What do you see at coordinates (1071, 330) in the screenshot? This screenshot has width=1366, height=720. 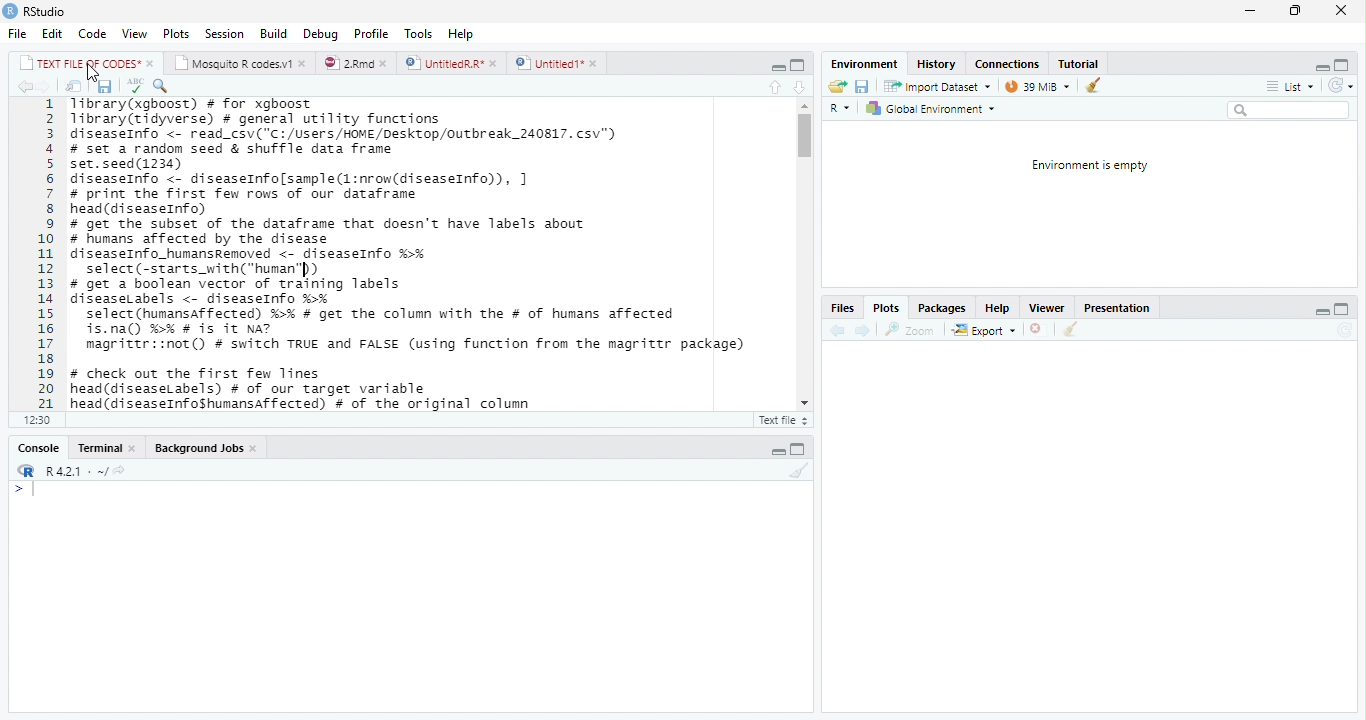 I see `Clean` at bounding box center [1071, 330].